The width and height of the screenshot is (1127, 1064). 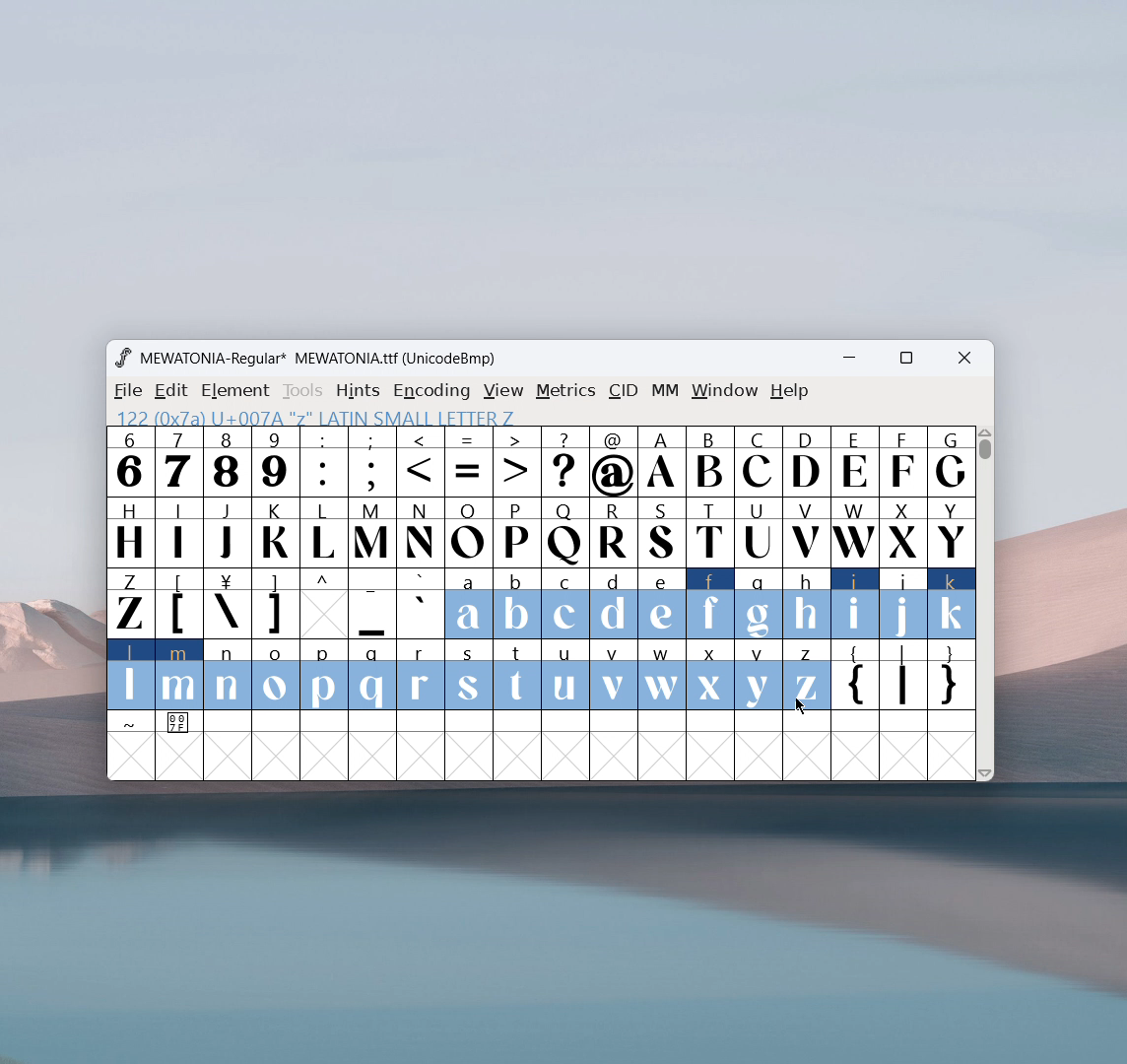 What do you see at coordinates (503, 391) in the screenshot?
I see `view` at bounding box center [503, 391].